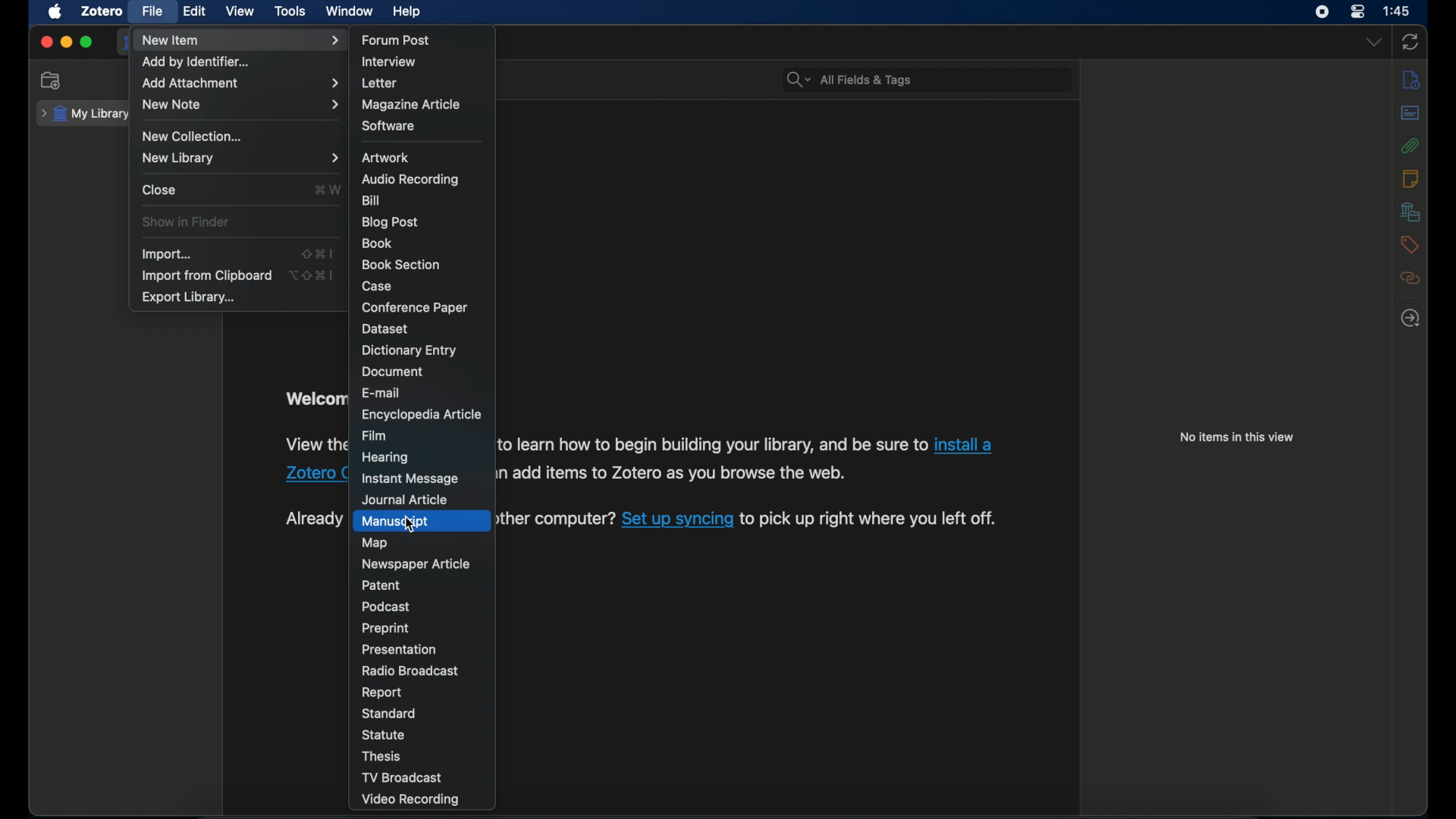 This screenshot has width=1456, height=819. What do you see at coordinates (401, 777) in the screenshot?
I see `tv broadcast` at bounding box center [401, 777].